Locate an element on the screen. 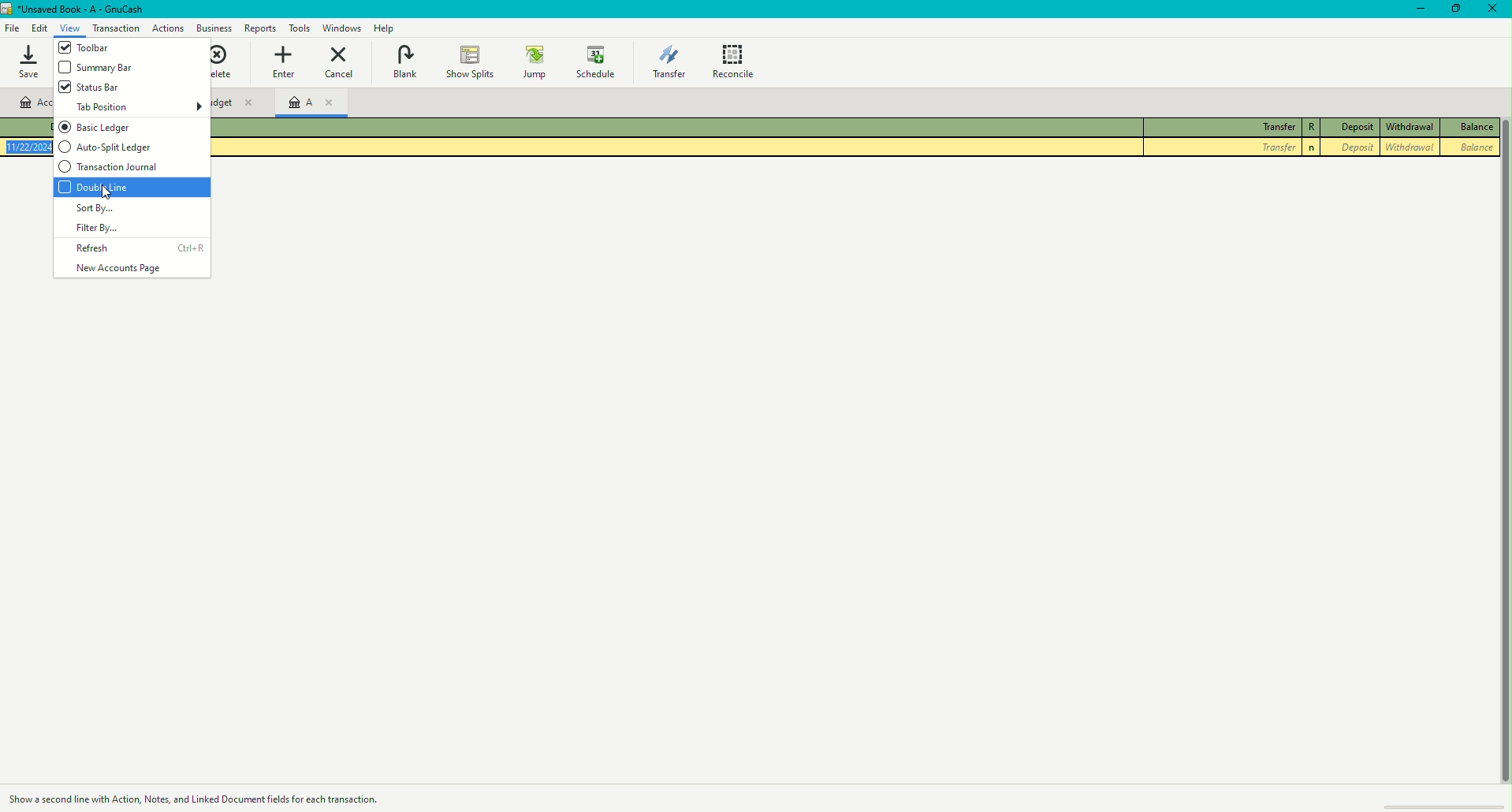 This screenshot has height=812, width=1512. Business is located at coordinates (213, 29).